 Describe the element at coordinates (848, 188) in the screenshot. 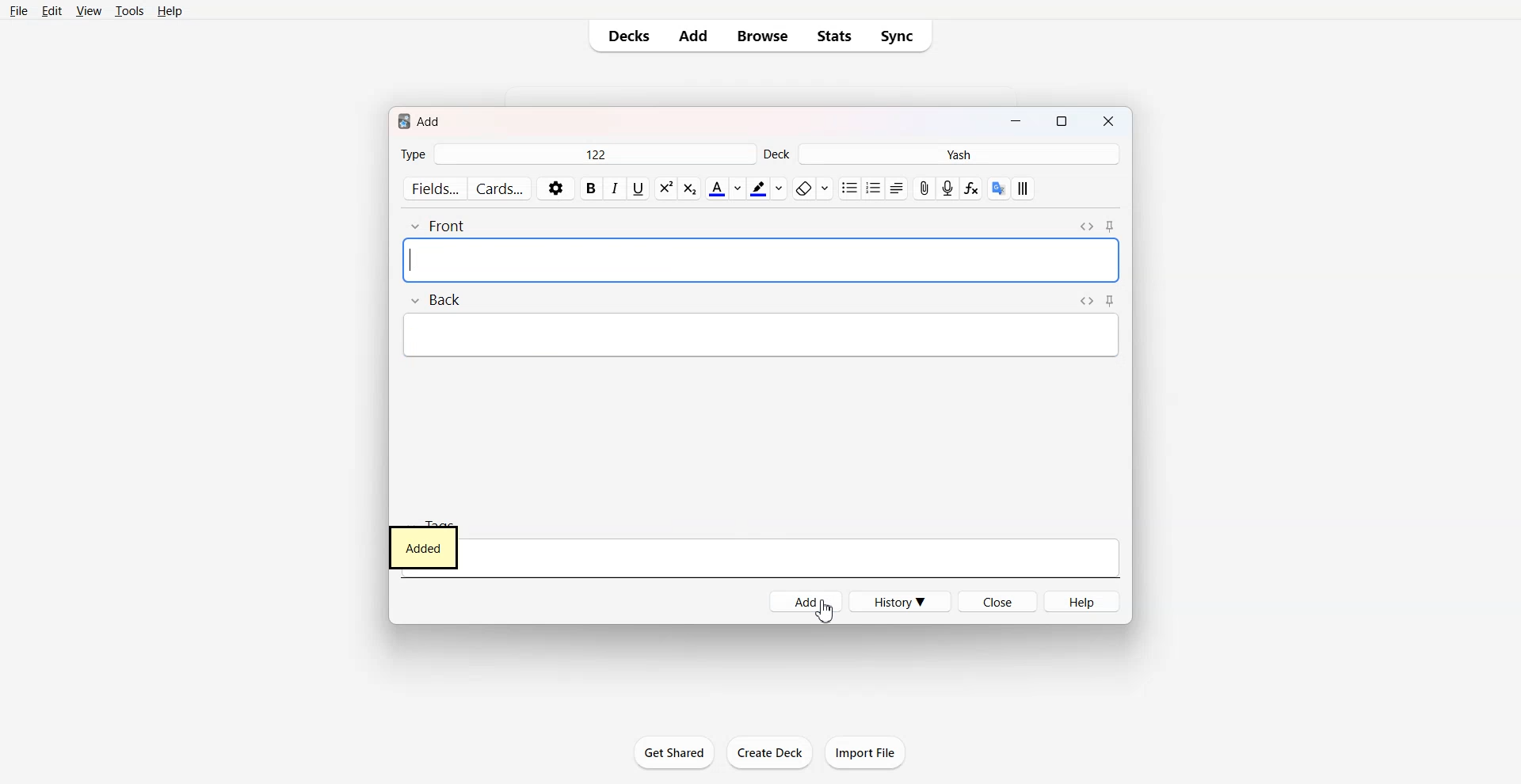

I see `Unorder List` at that location.